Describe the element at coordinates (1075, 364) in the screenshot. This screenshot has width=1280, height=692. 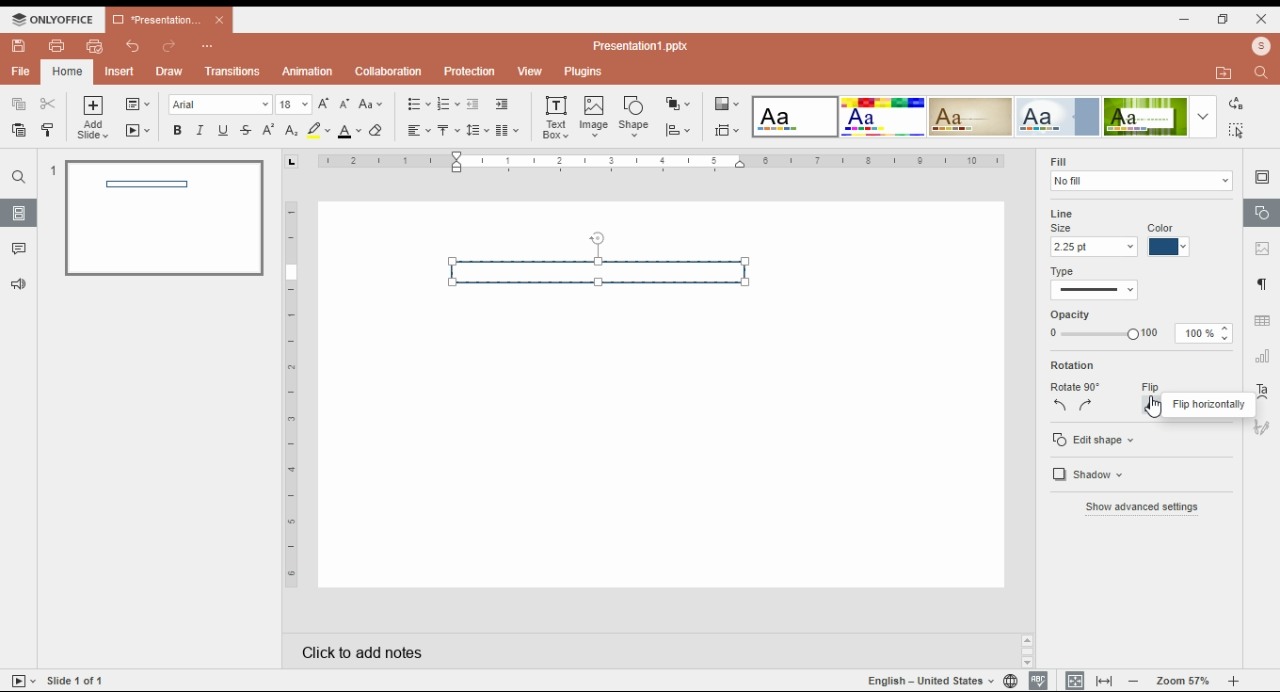
I see `rotation` at that location.